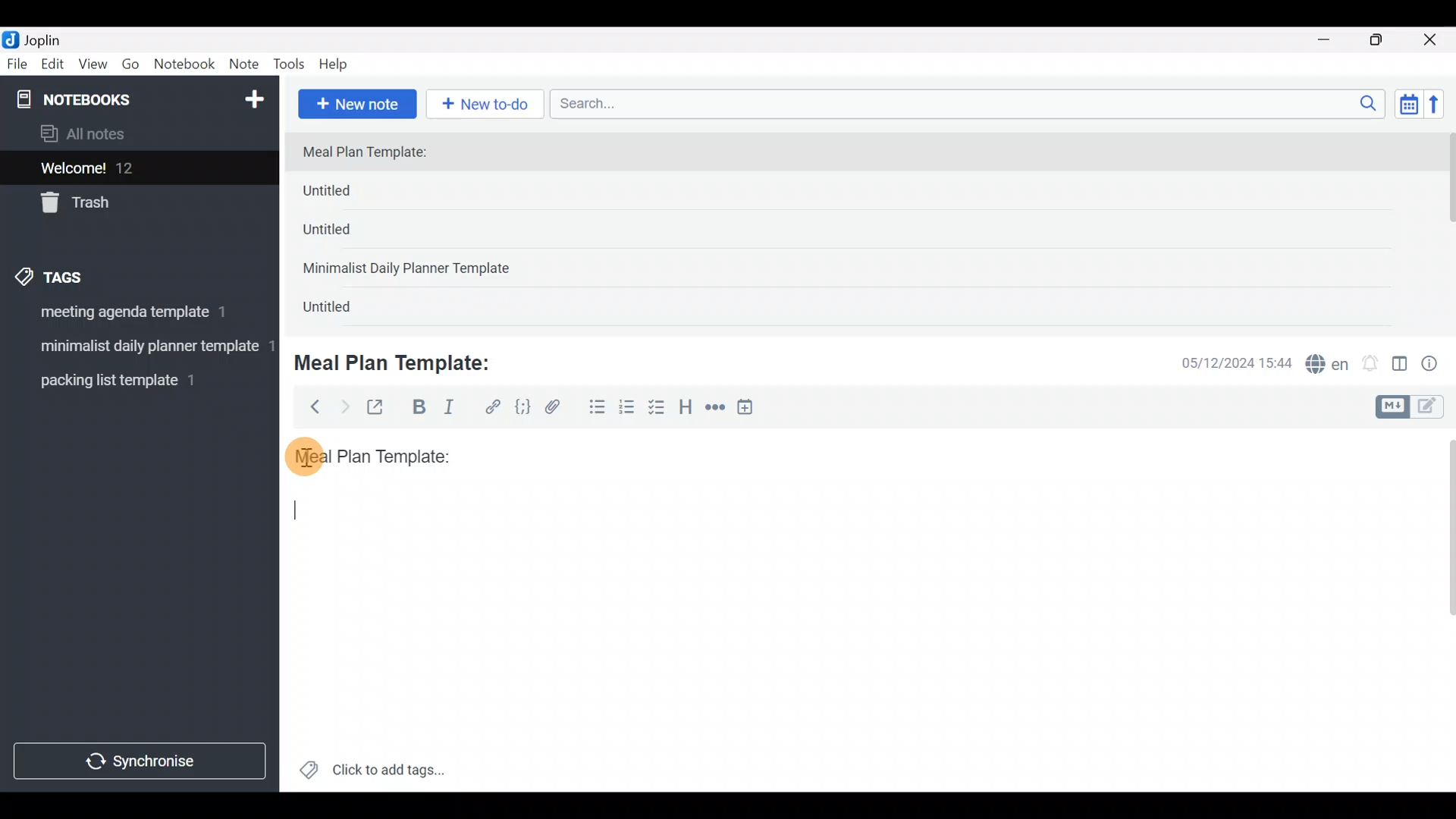 The image size is (1456, 819). Describe the element at coordinates (557, 409) in the screenshot. I see `Attach file` at that location.